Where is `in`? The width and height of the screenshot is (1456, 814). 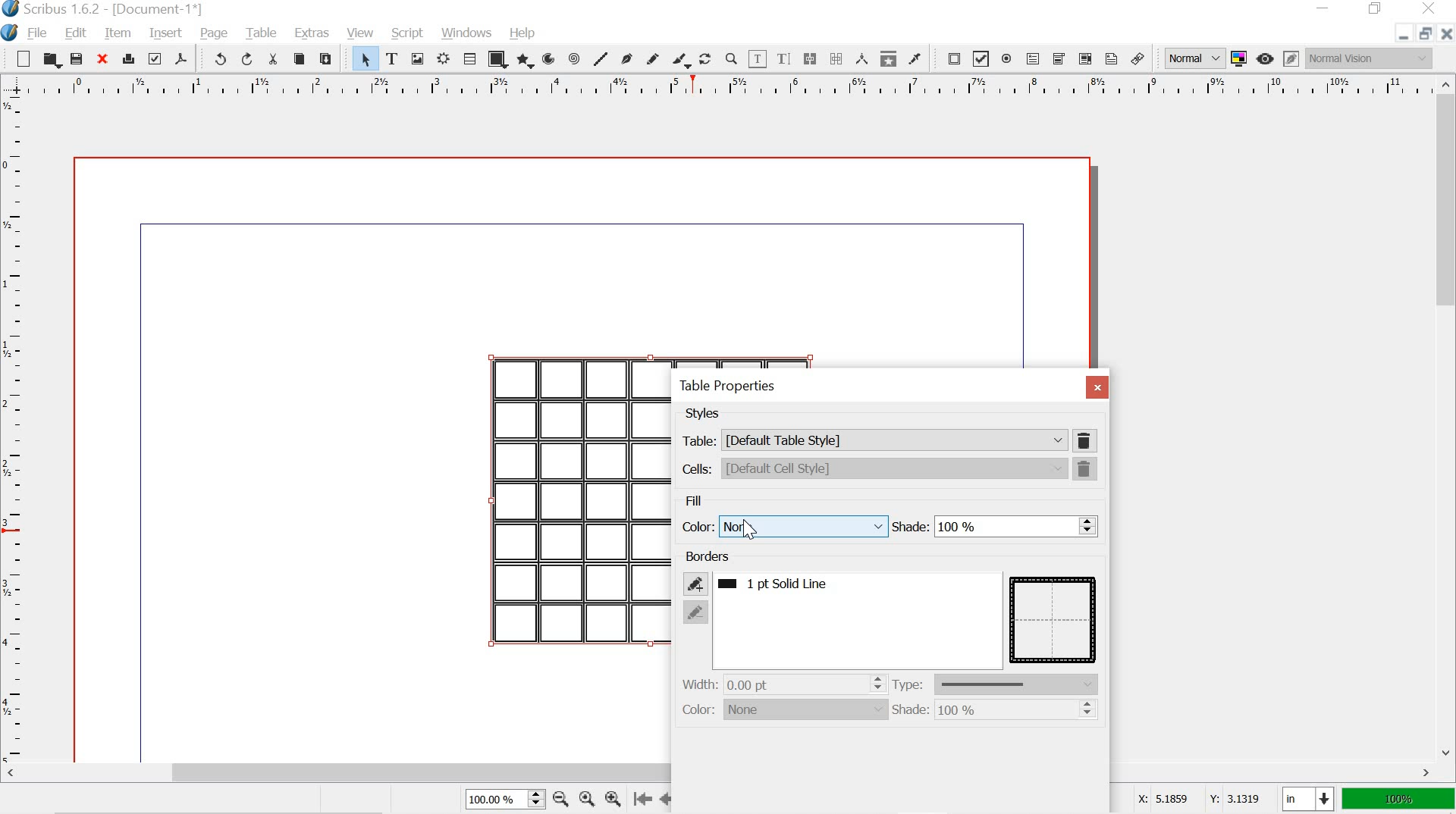 in is located at coordinates (1306, 800).